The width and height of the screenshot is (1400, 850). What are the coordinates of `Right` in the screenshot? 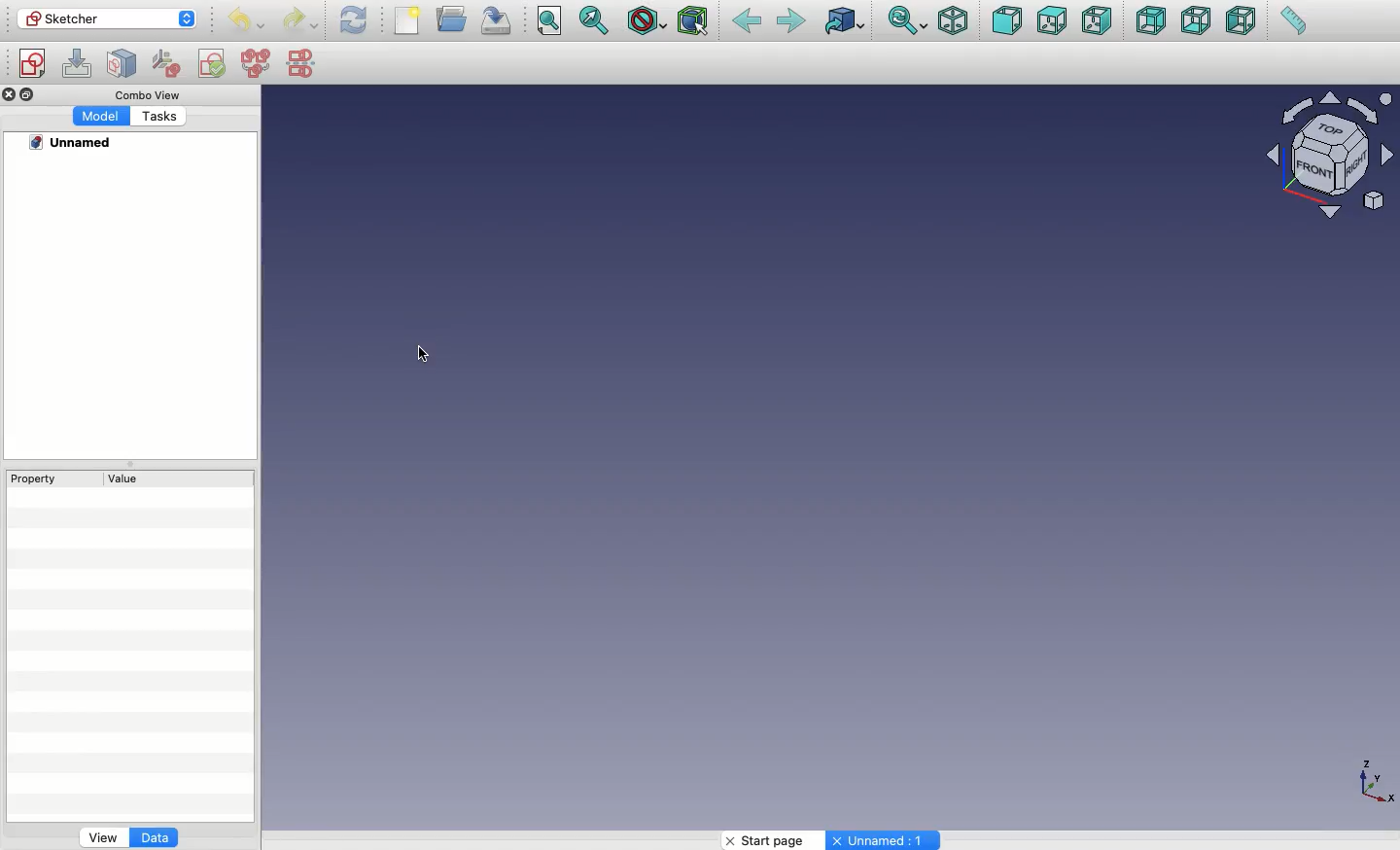 It's located at (1099, 22).